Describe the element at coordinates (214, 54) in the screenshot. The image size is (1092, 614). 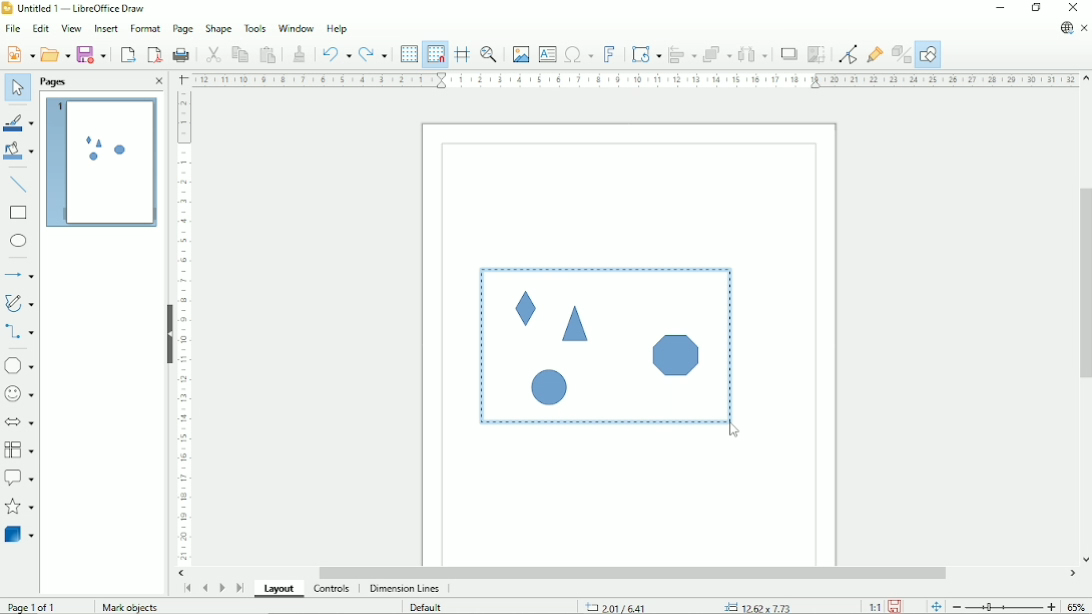
I see `Cut` at that location.